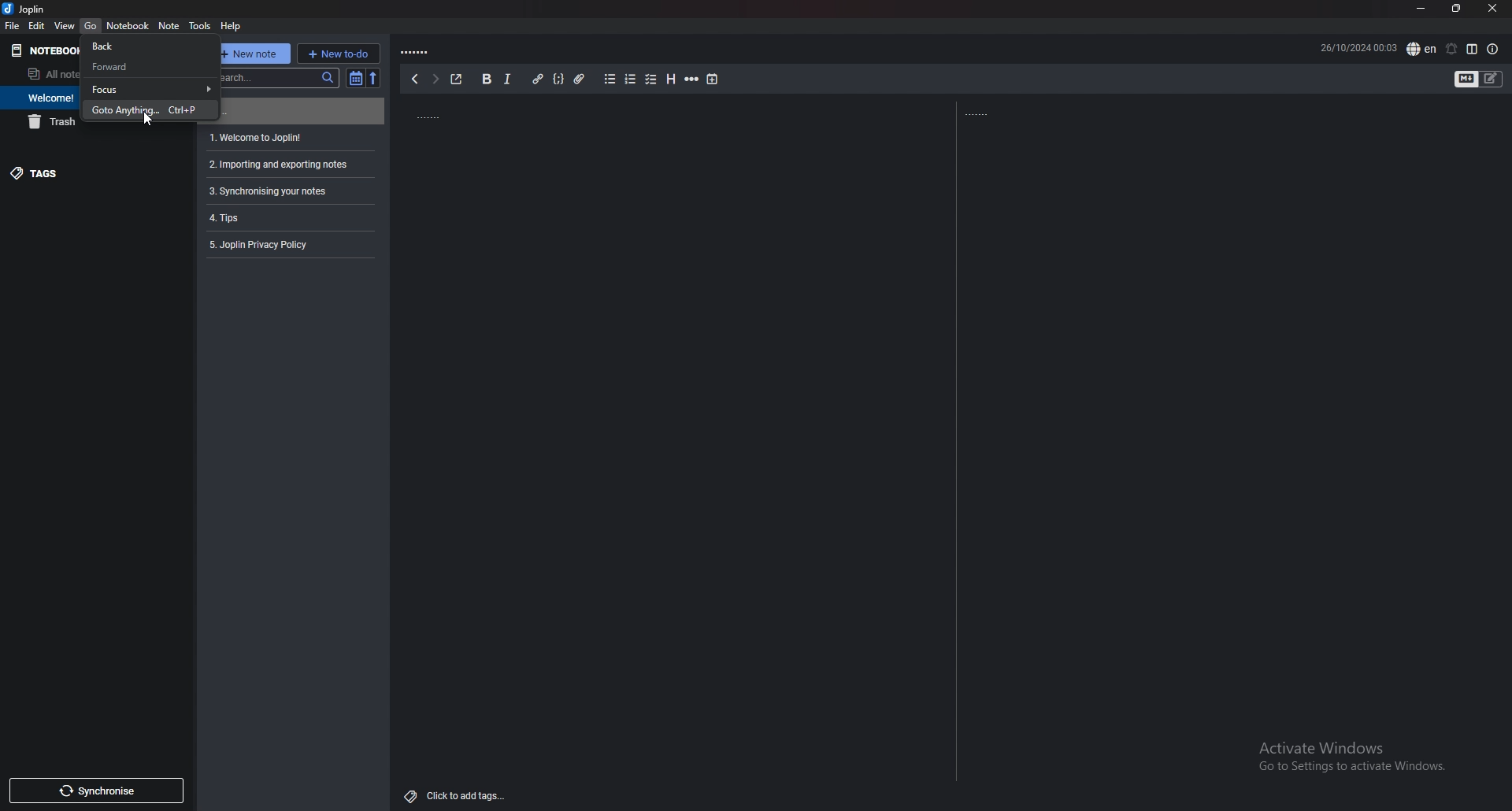 The width and height of the screenshot is (1512, 811). What do you see at coordinates (202, 25) in the screenshot?
I see `tools` at bounding box center [202, 25].